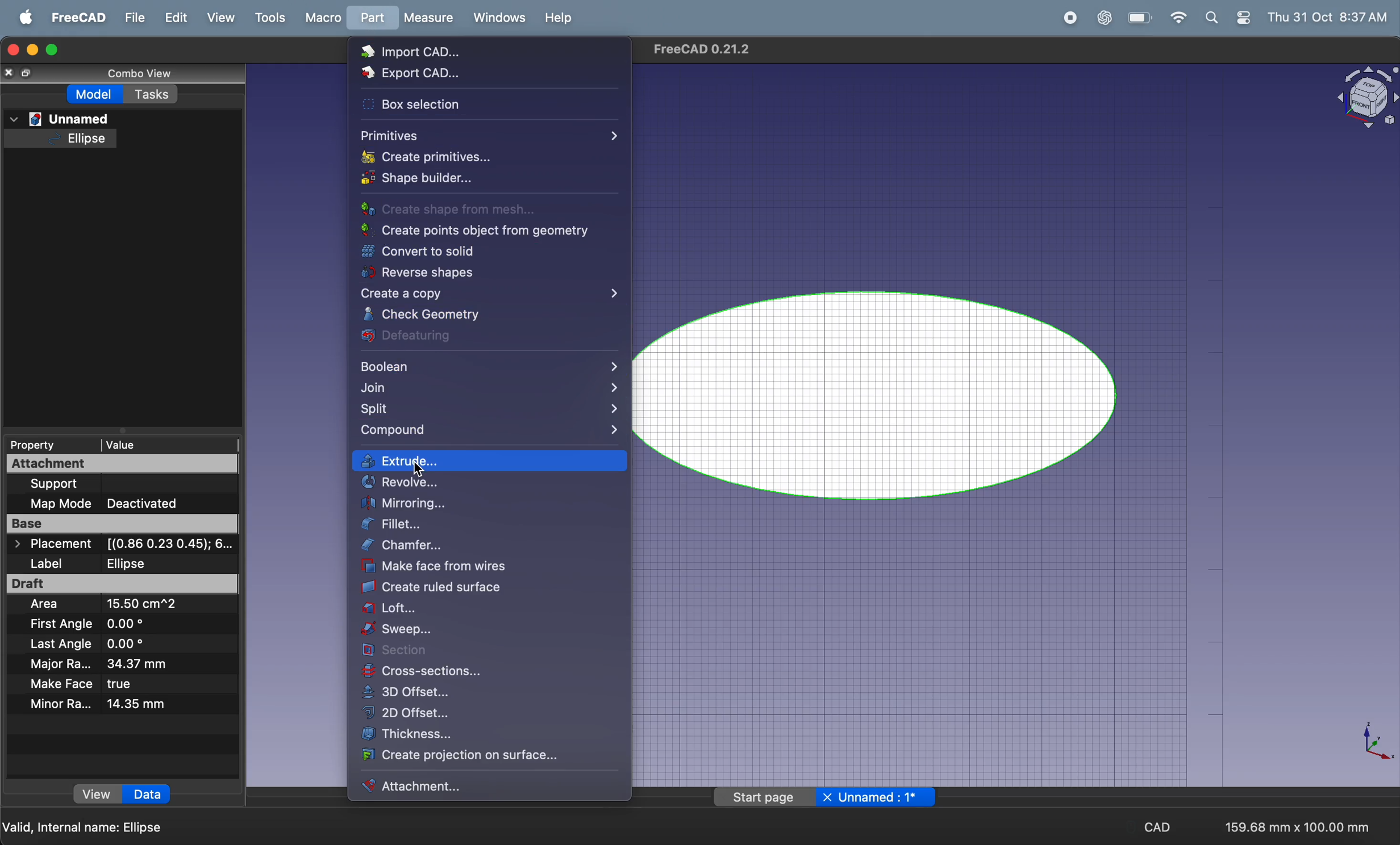  Describe the element at coordinates (482, 546) in the screenshot. I see `chamfer` at that location.